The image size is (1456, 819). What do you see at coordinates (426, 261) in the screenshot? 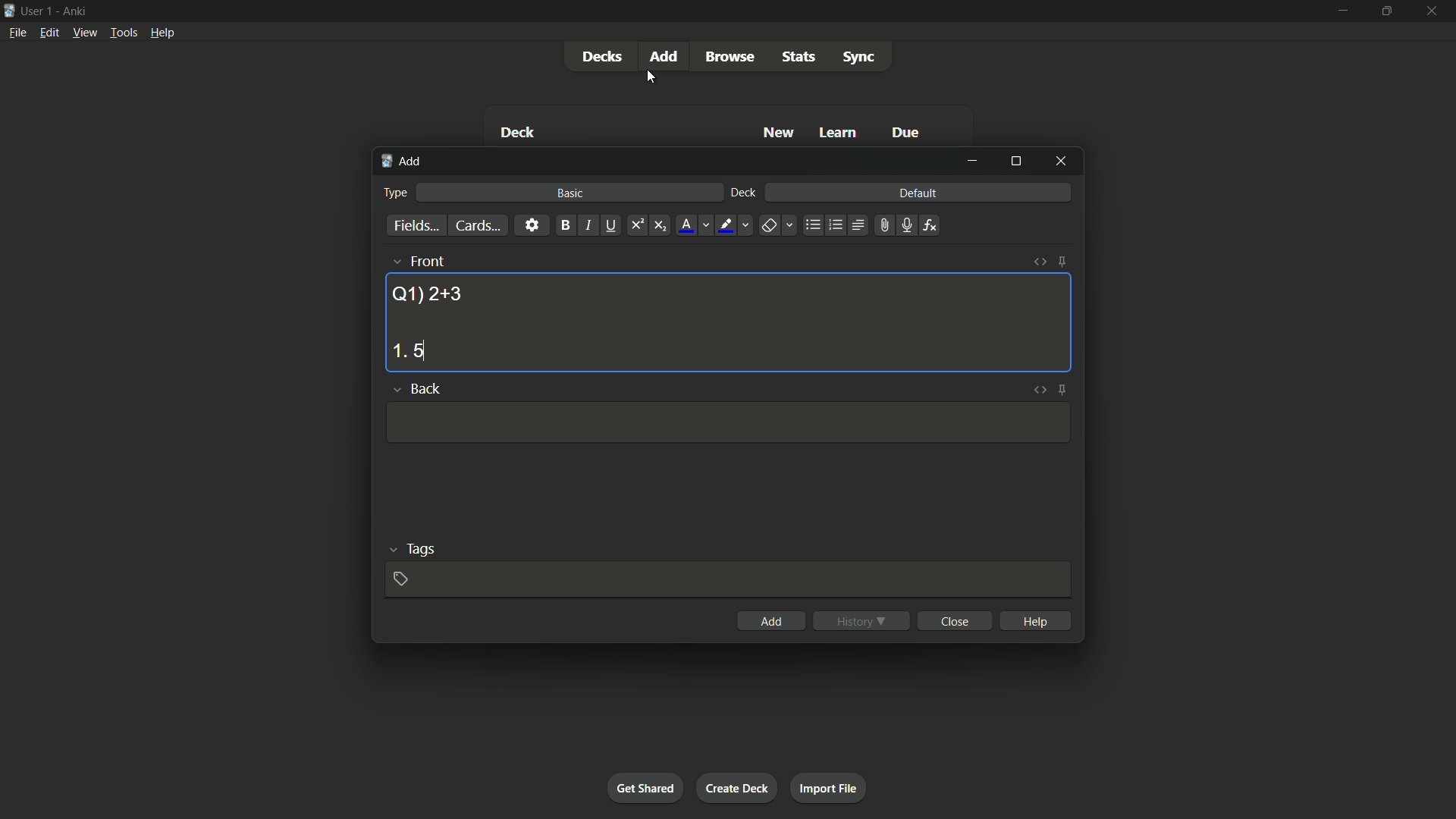
I see `front` at bounding box center [426, 261].